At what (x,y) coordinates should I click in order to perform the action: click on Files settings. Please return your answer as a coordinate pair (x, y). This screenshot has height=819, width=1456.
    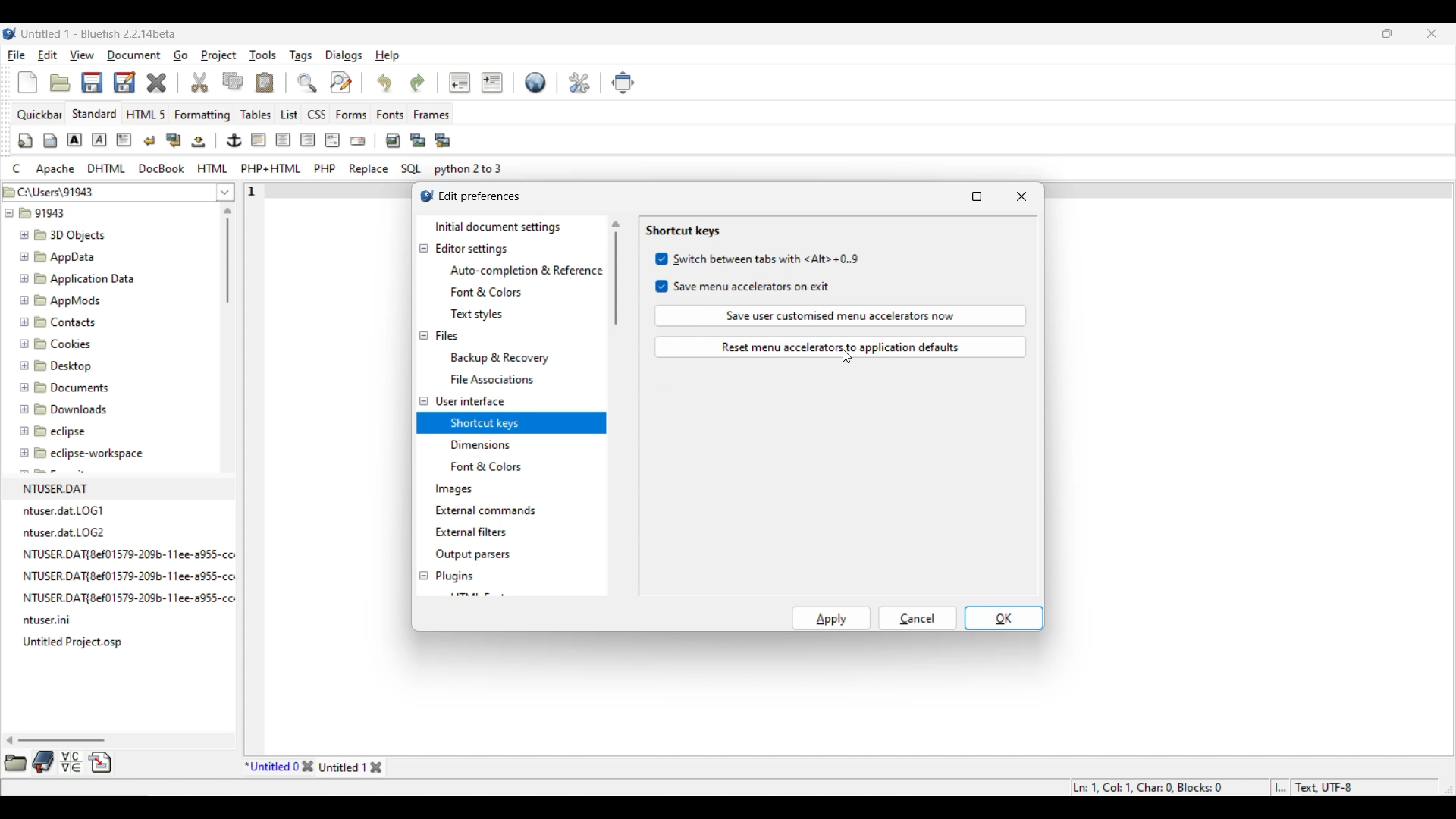
    Looking at the image, I should click on (447, 336).